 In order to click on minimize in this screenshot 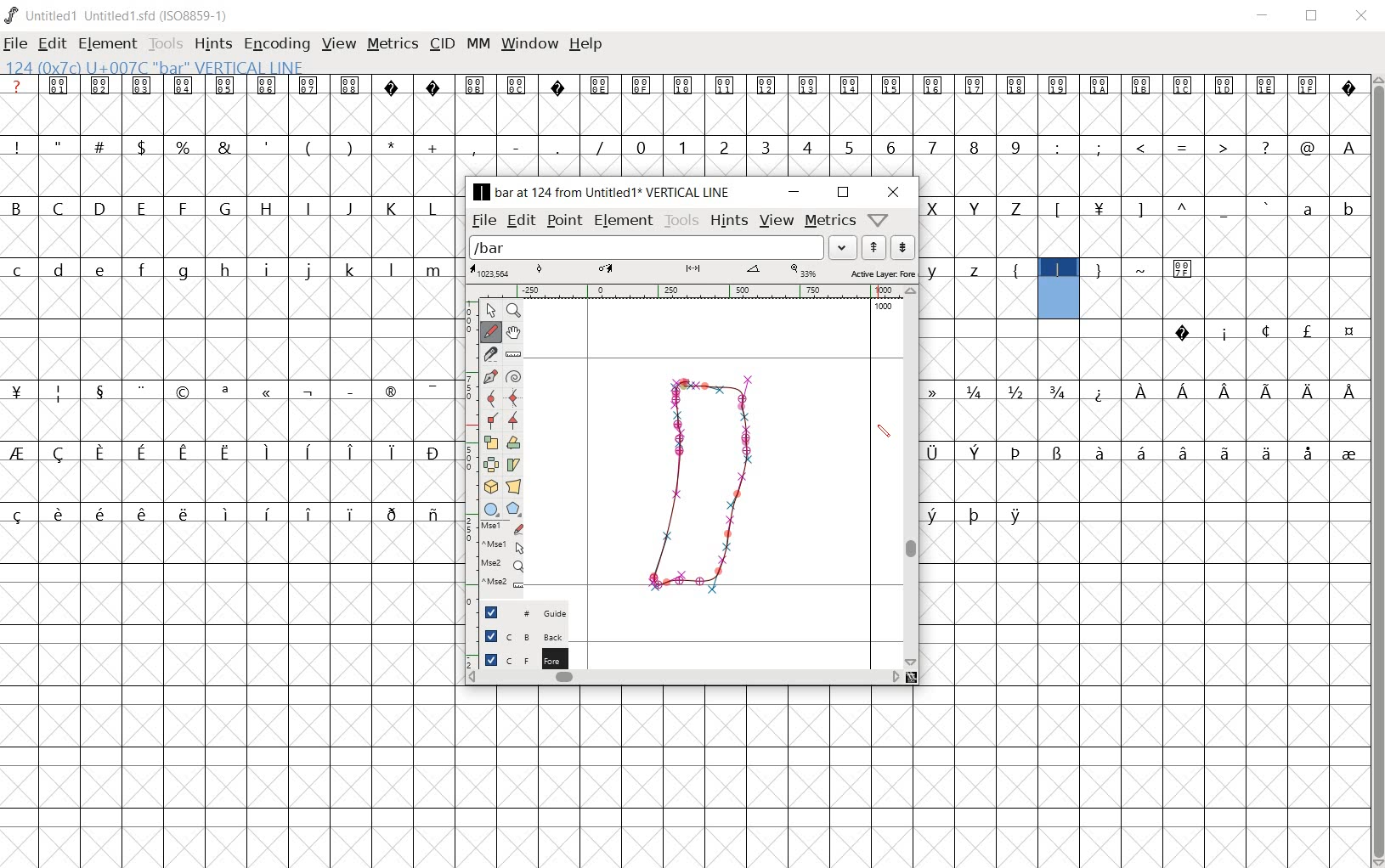, I will do `click(1263, 16)`.